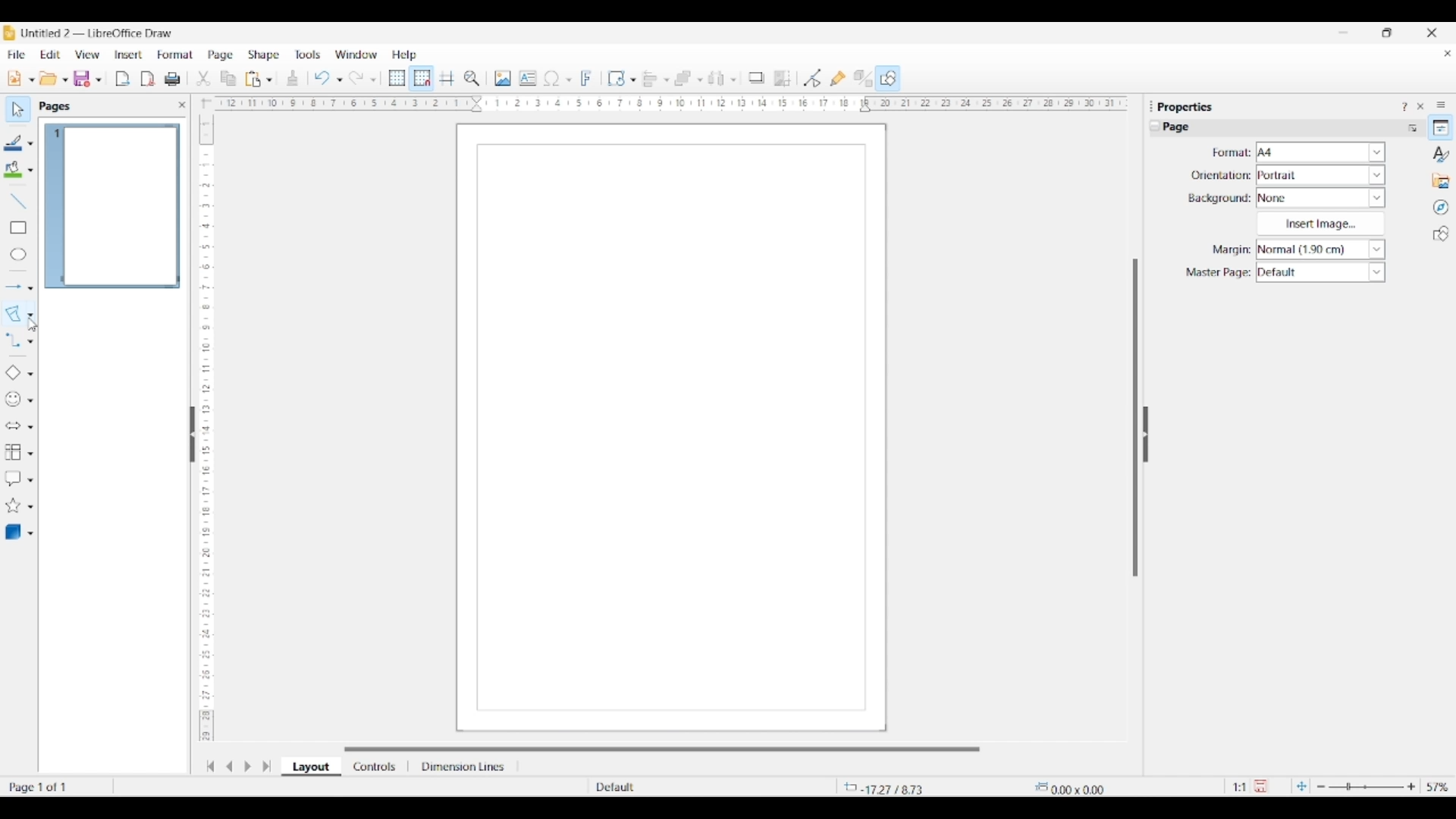 Image resolution: width=1456 pixels, height=819 pixels. What do you see at coordinates (253, 79) in the screenshot?
I see `Selected paste options` at bounding box center [253, 79].